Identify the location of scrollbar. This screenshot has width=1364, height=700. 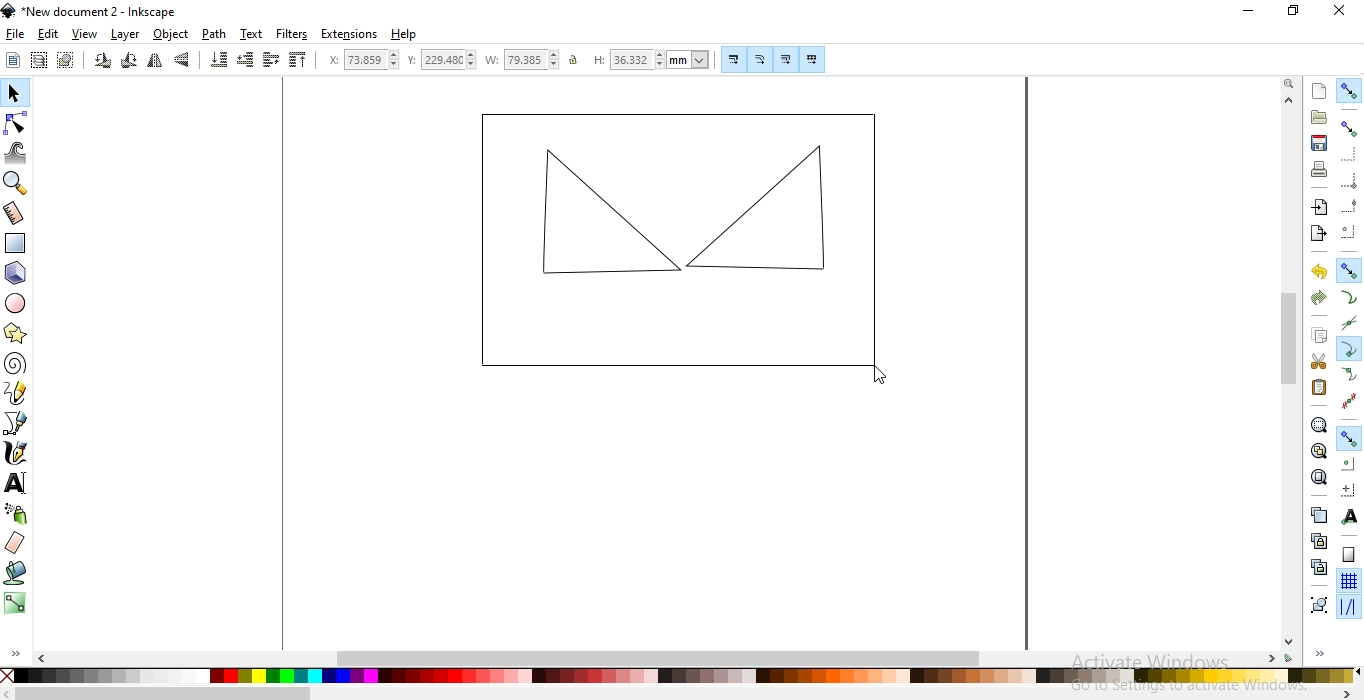
(684, 693).